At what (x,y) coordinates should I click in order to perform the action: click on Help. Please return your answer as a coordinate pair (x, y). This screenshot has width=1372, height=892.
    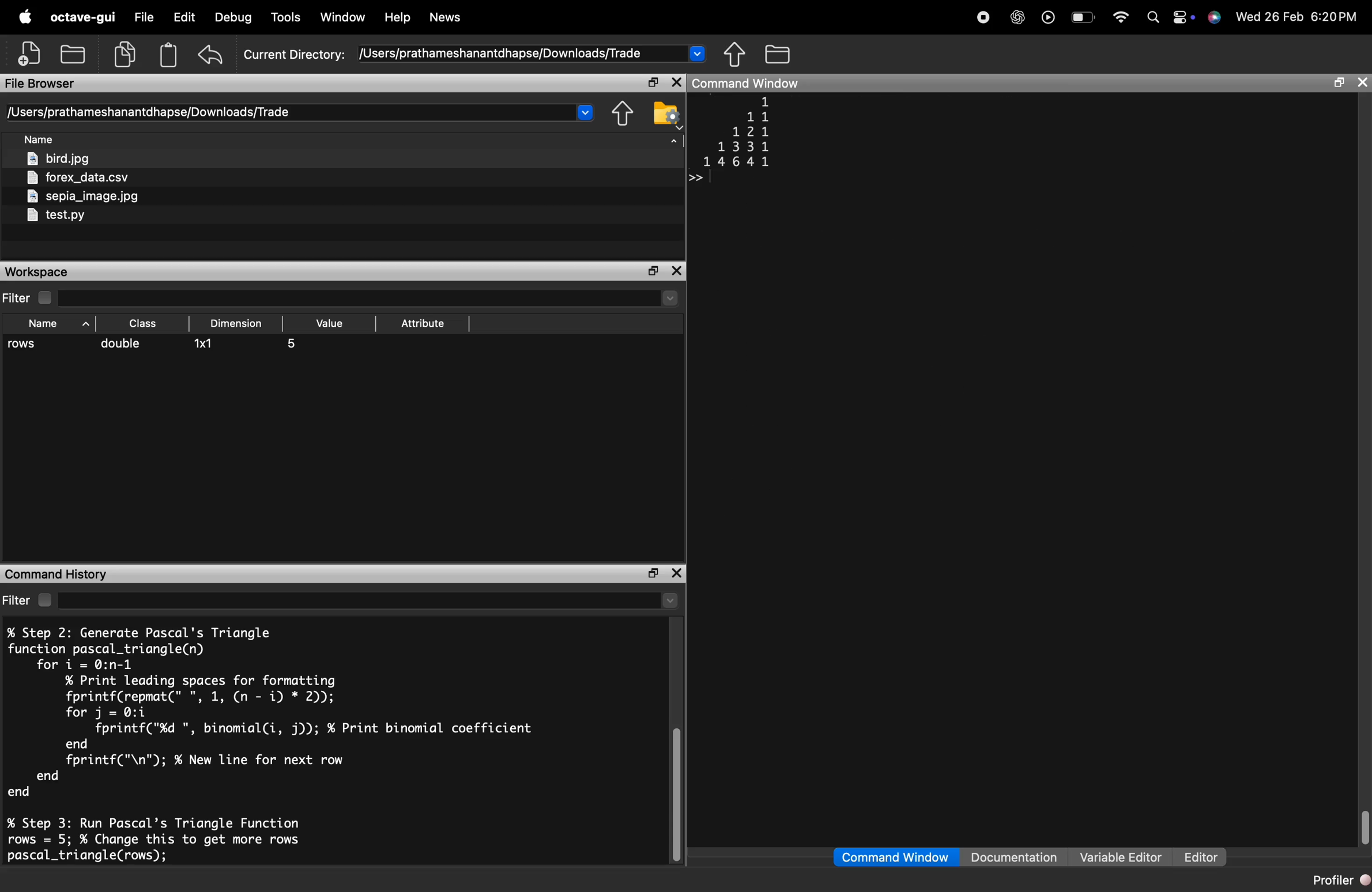
    Looking at the image, I should click on (398, 17).